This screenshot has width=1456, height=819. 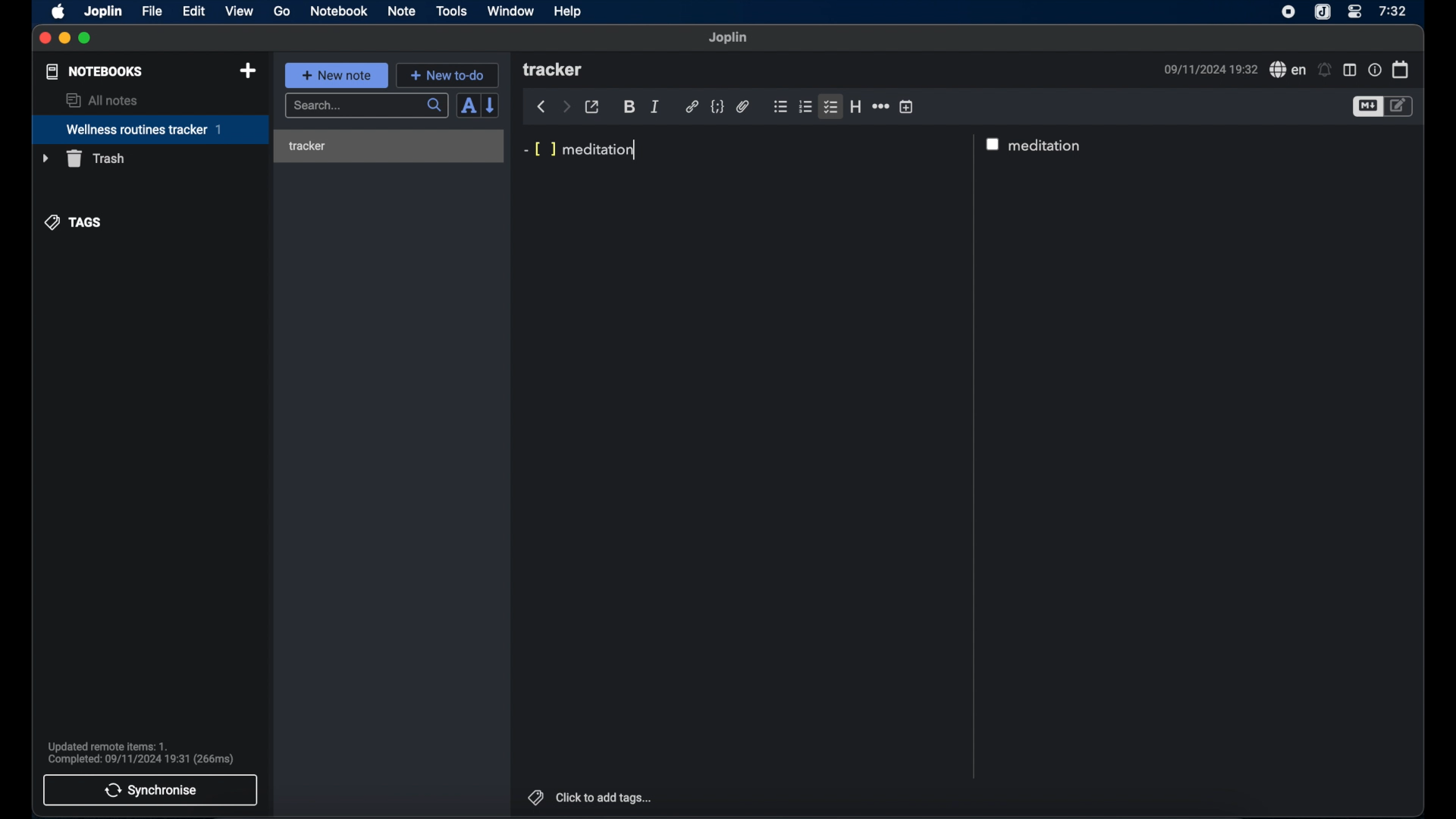 I want to click on maximize, so click(x=86, y=39).